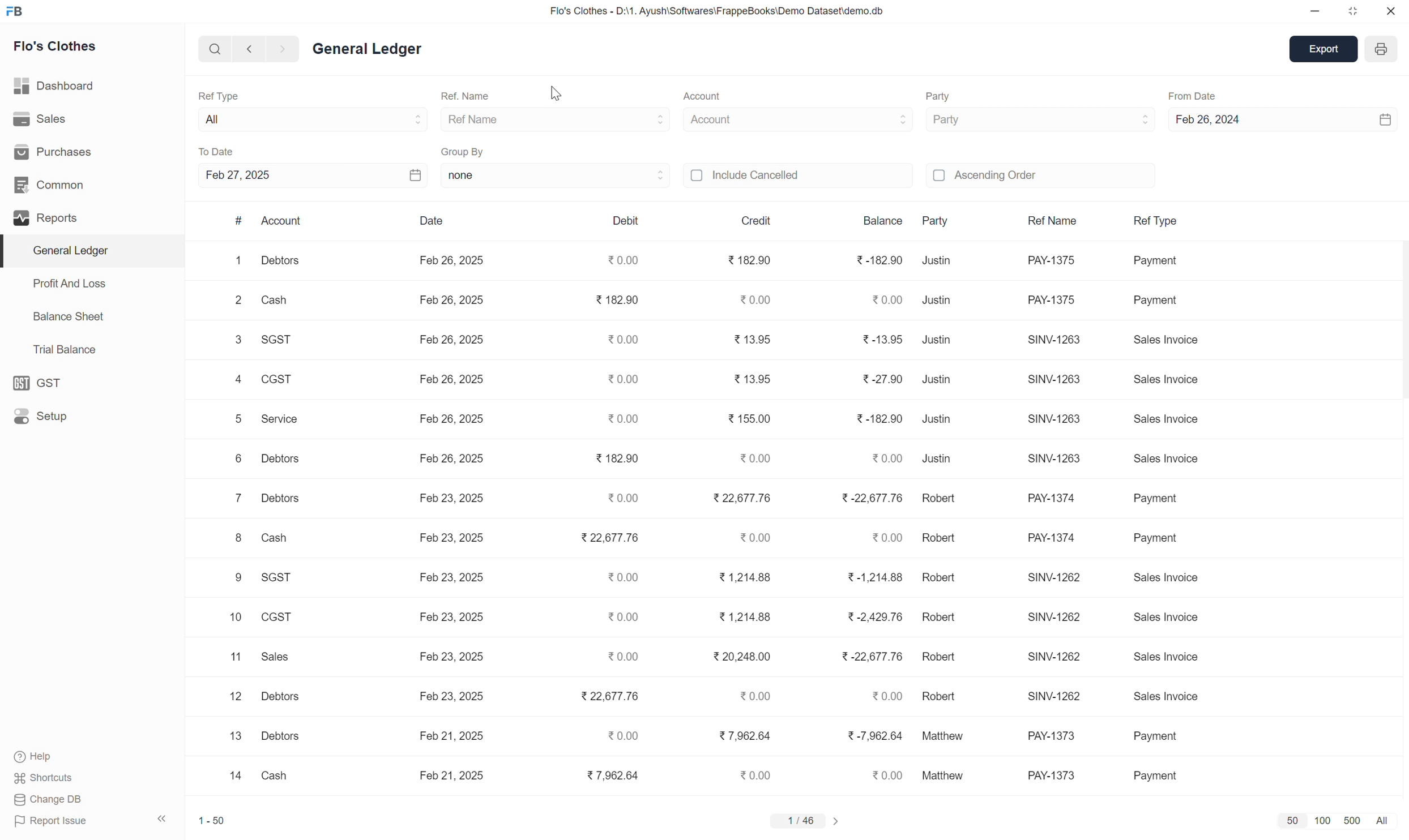  Describe the element at coordinates (755, 697) in the screenshot. I see `0.00` at that location.